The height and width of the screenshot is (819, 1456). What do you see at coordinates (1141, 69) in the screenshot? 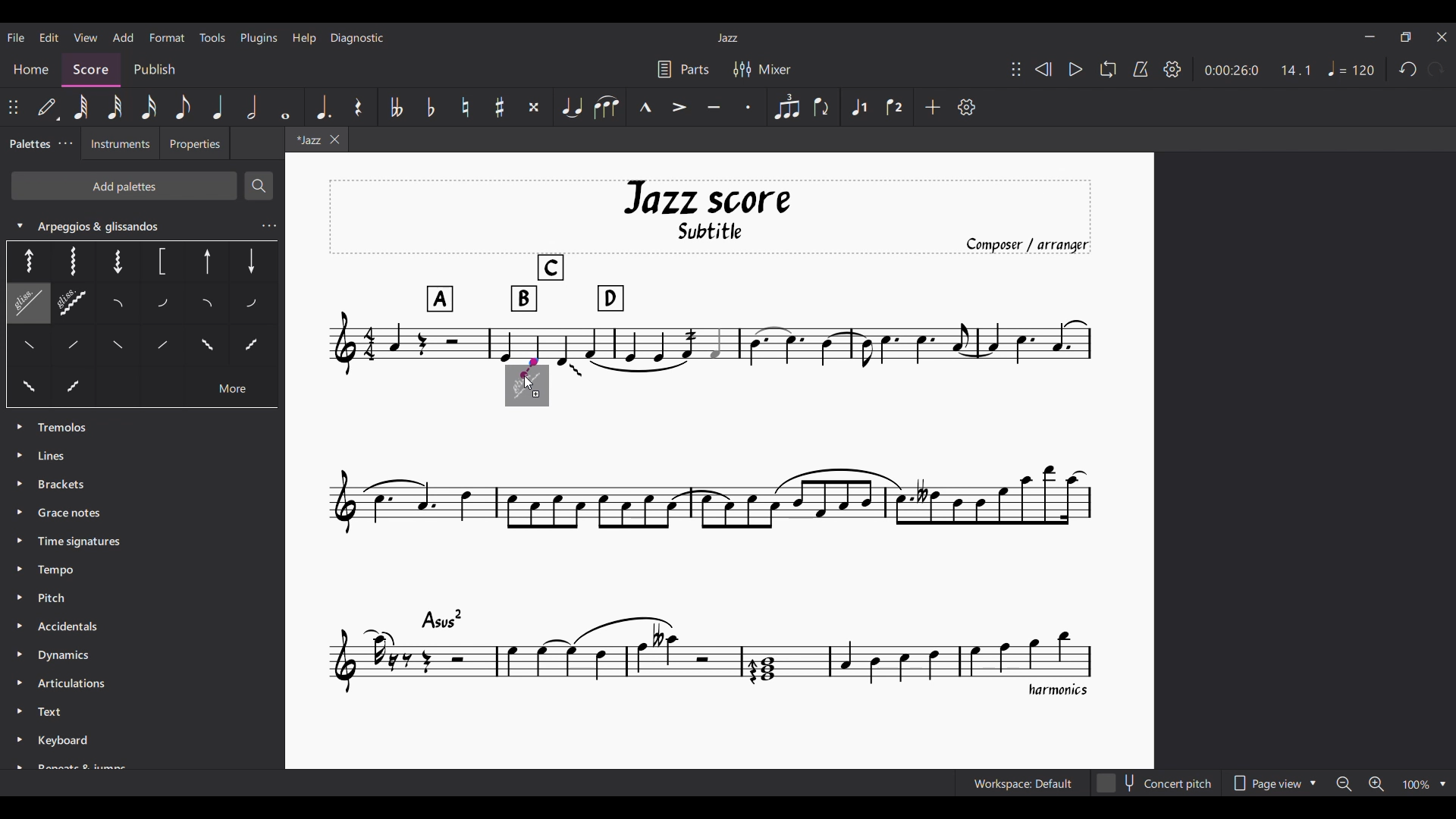
I see `Metronome` at bounding box center [1141, 69].